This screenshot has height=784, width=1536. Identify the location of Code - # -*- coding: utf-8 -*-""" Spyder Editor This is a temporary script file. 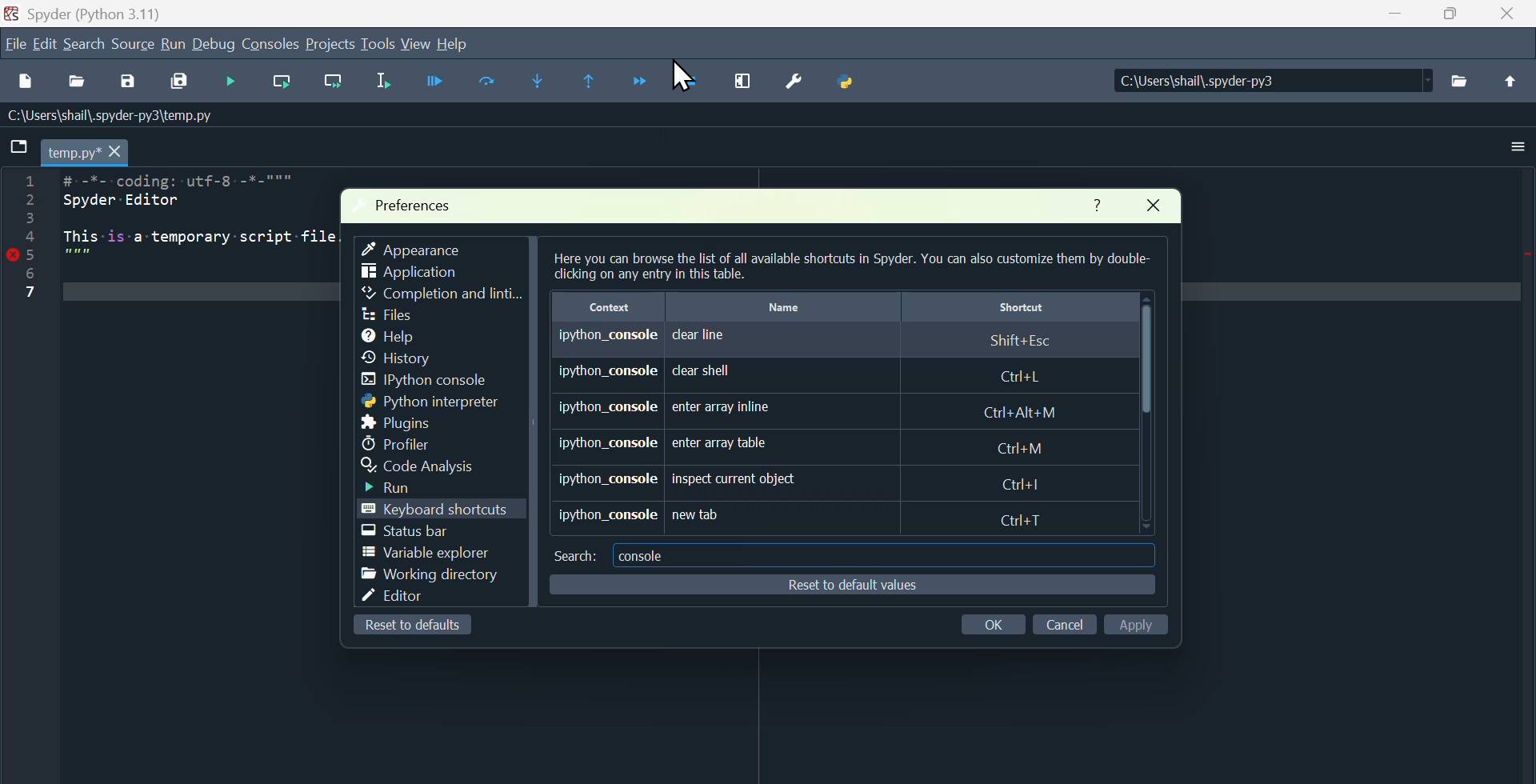
(167, 238).